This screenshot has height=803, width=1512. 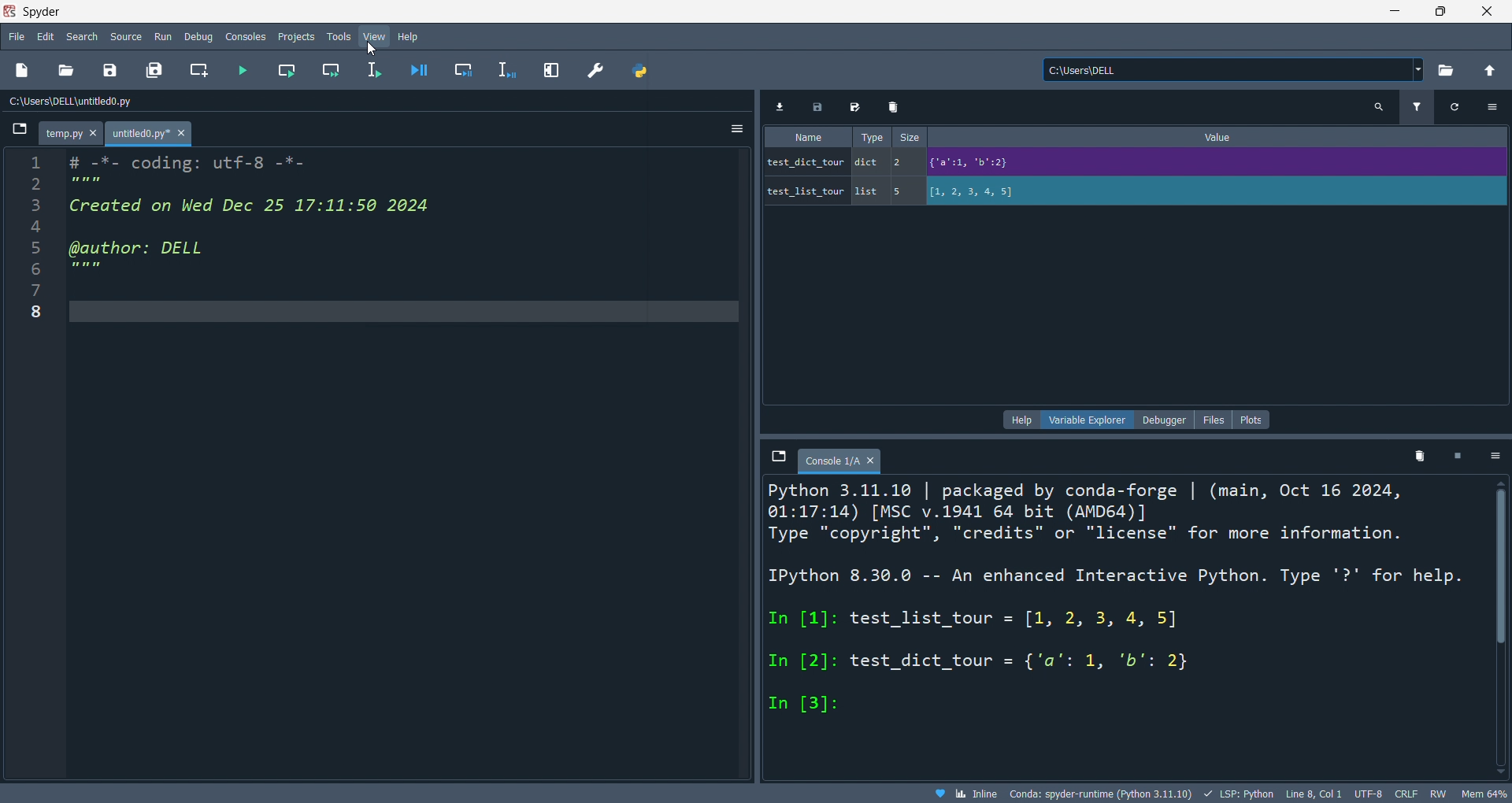 I want to click on name, so click(x=807, y=138).